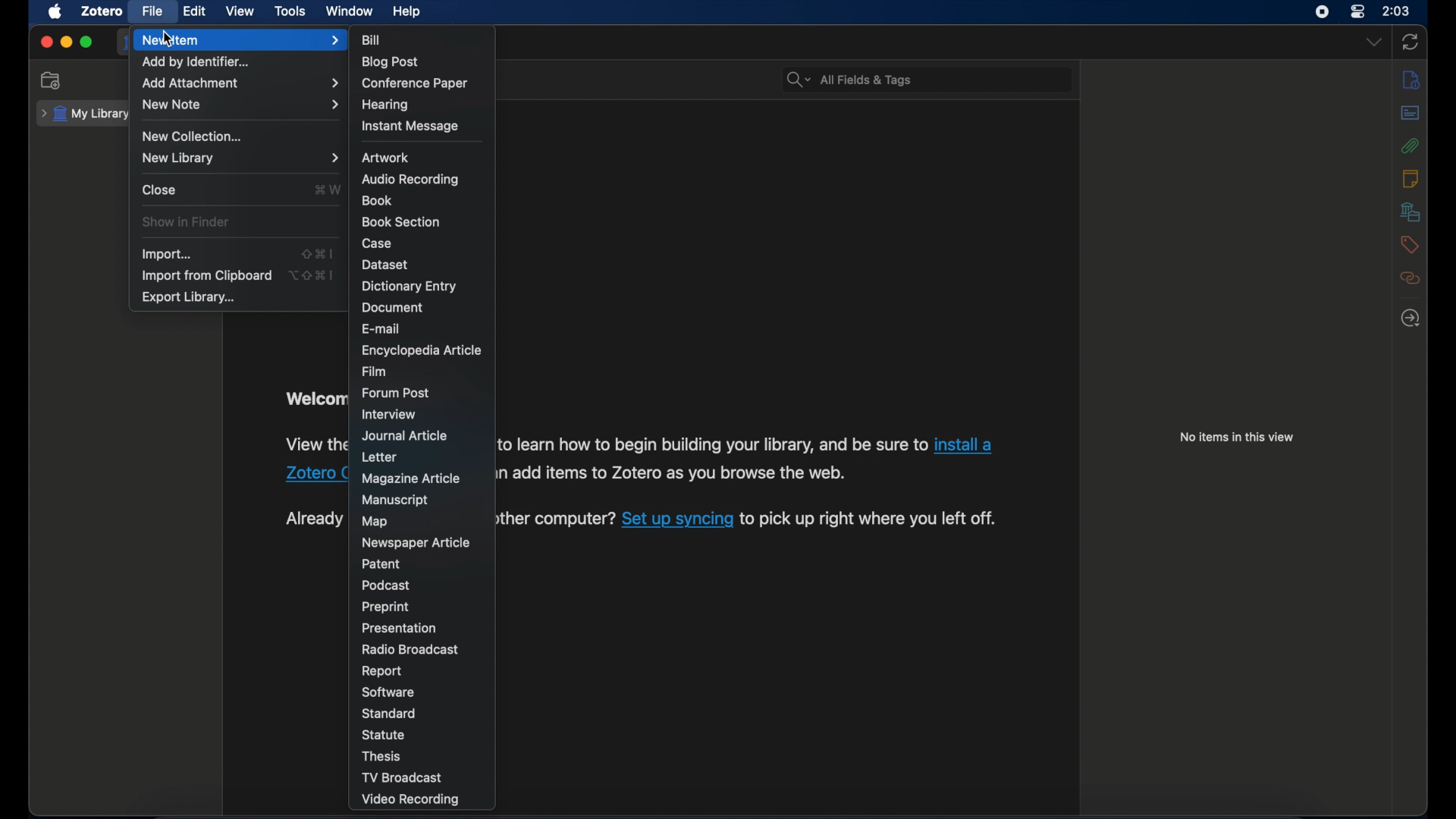 The width and height of the screenshot is (1456, 819). I want to click on show in finder, so click(187, 222).